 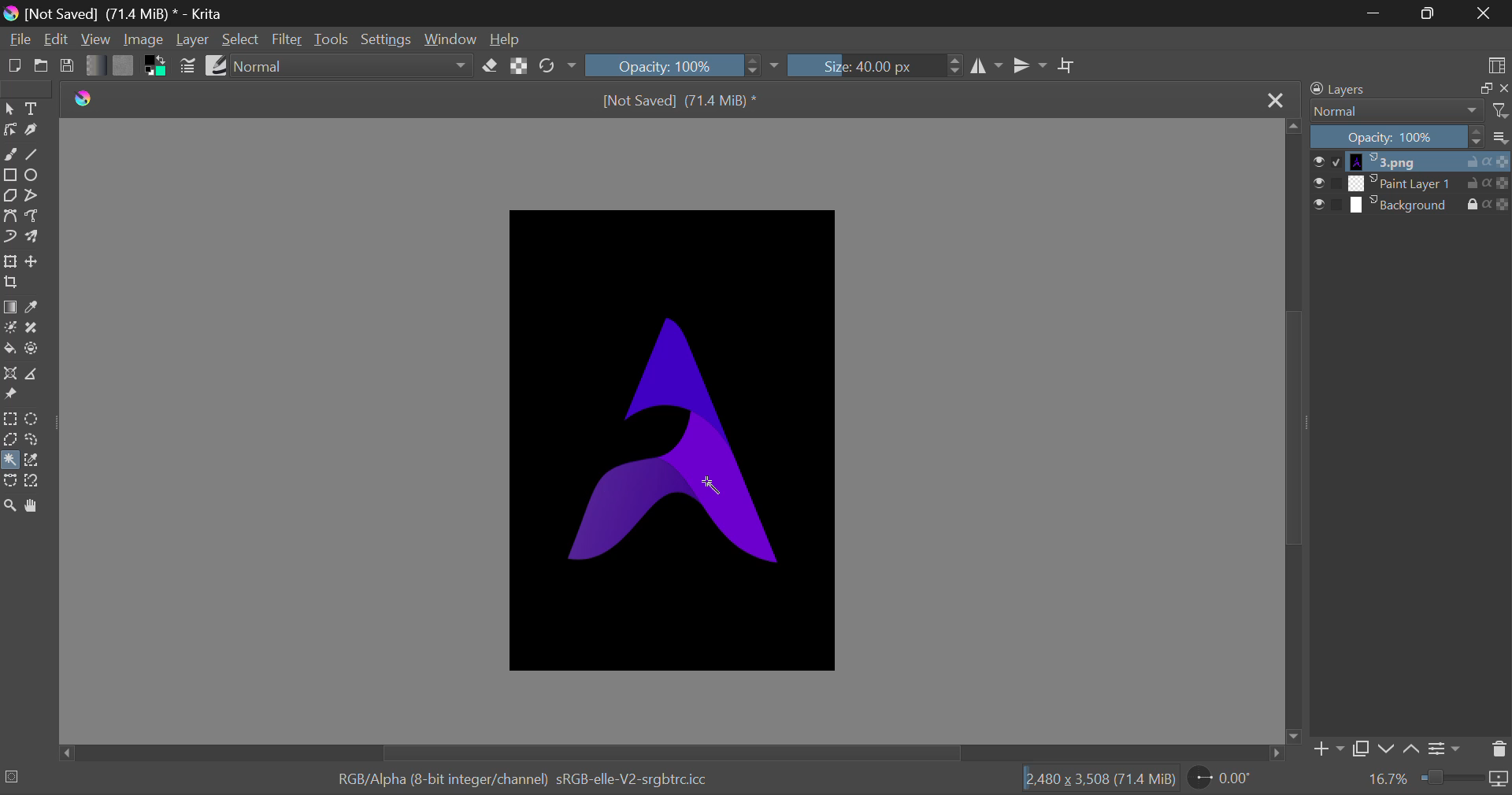 I want to click on down Movement of Layer, so click(x=1388, y=749).